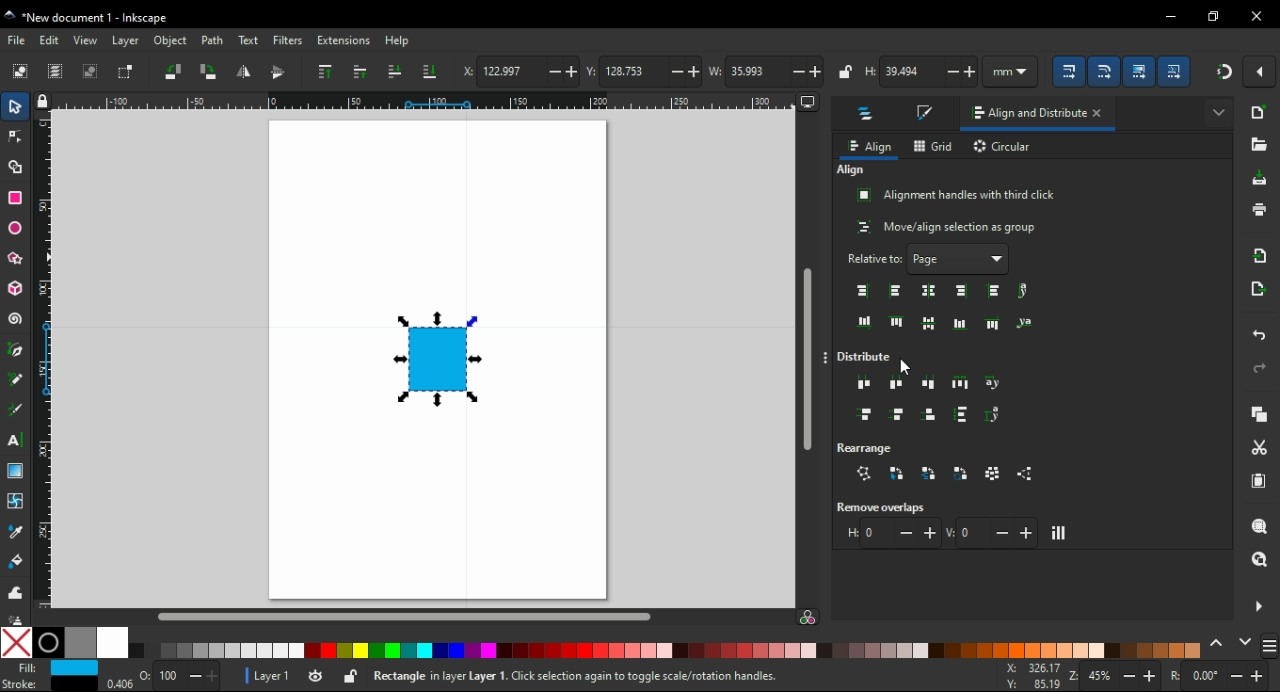 Image resolution: width=1280 pixels, height=692 pixels. I want to click on white, so click(112, 643).